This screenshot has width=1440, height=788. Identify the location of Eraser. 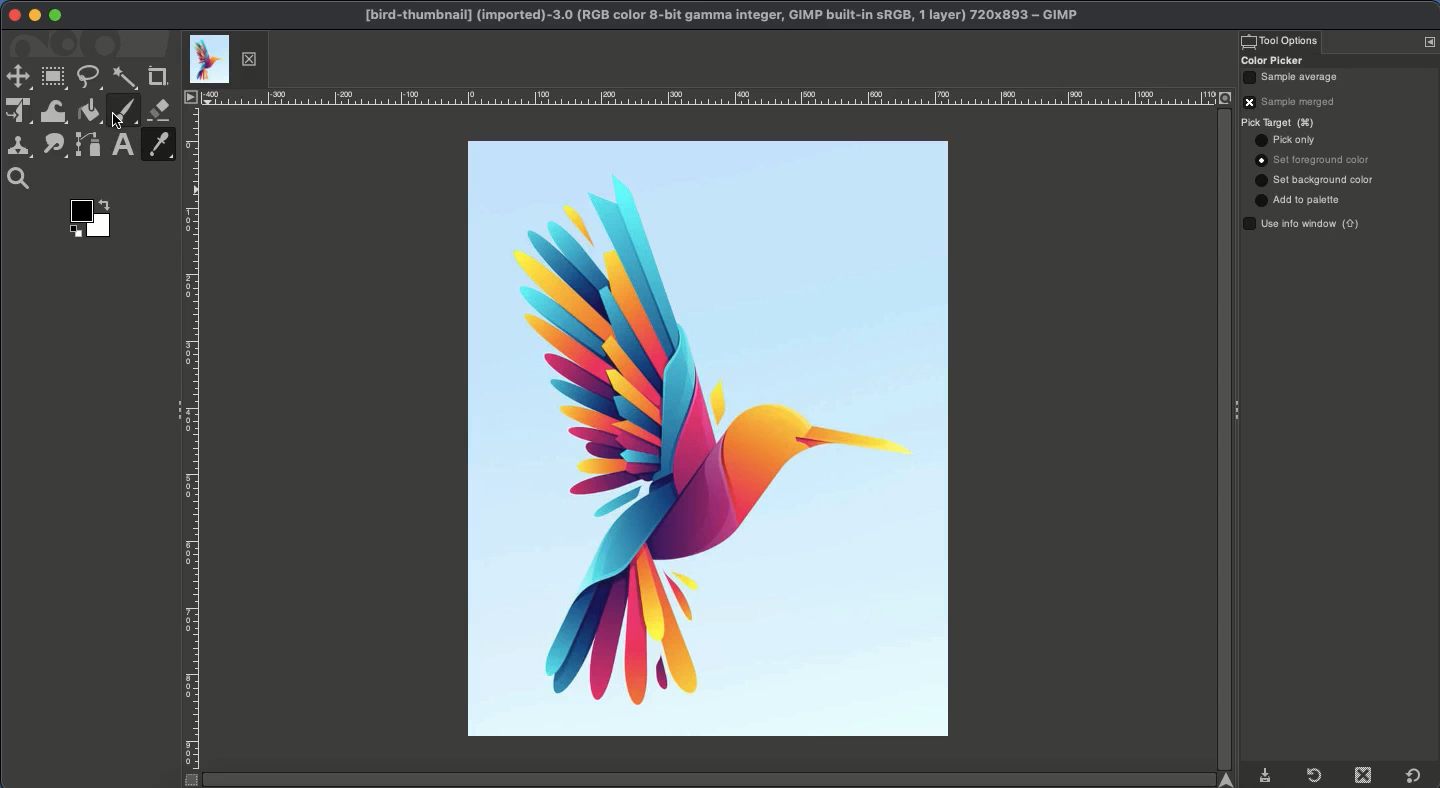
(160, 110).